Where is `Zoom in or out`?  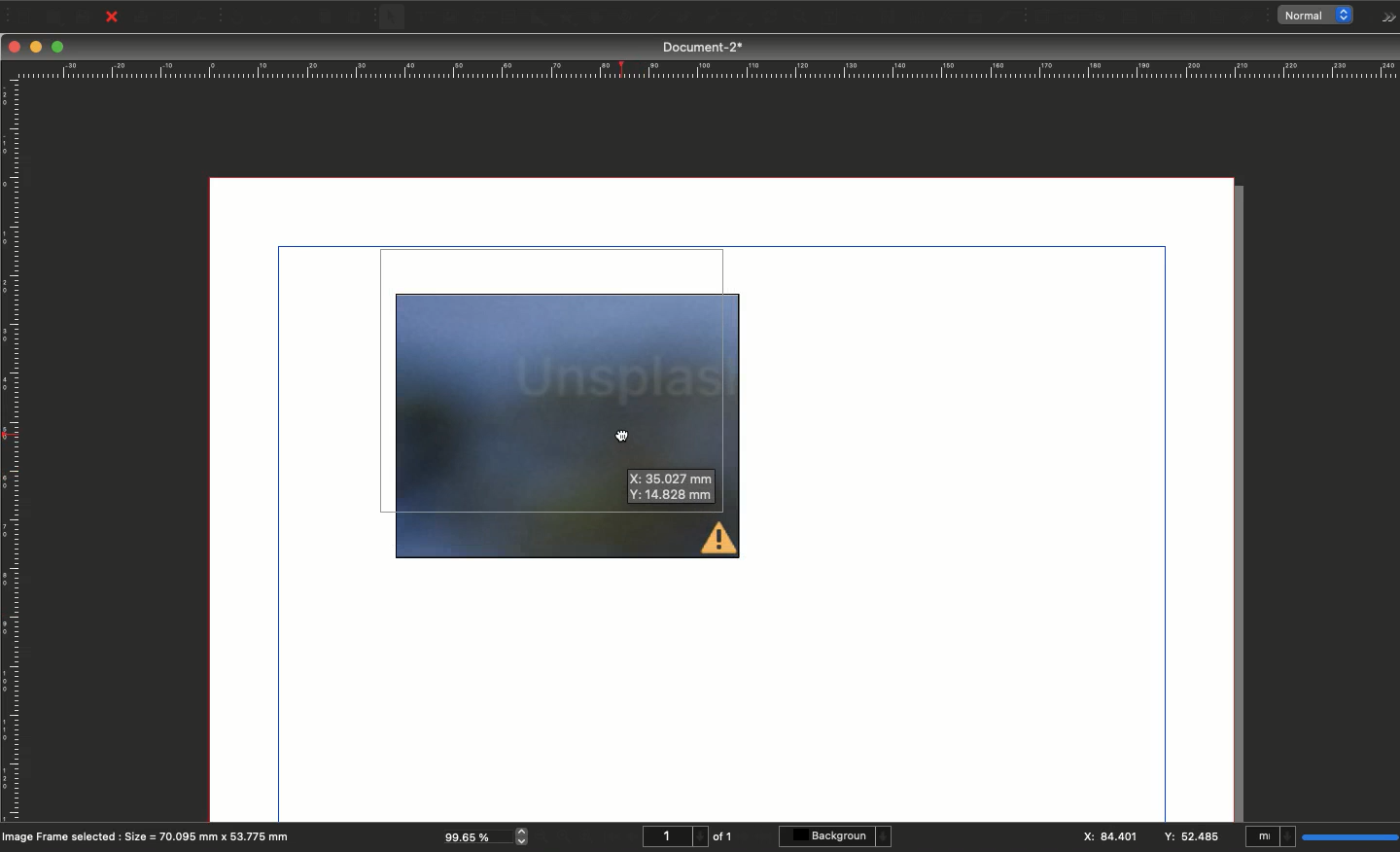 Zoom in or out is located at coordinates (773, 19).